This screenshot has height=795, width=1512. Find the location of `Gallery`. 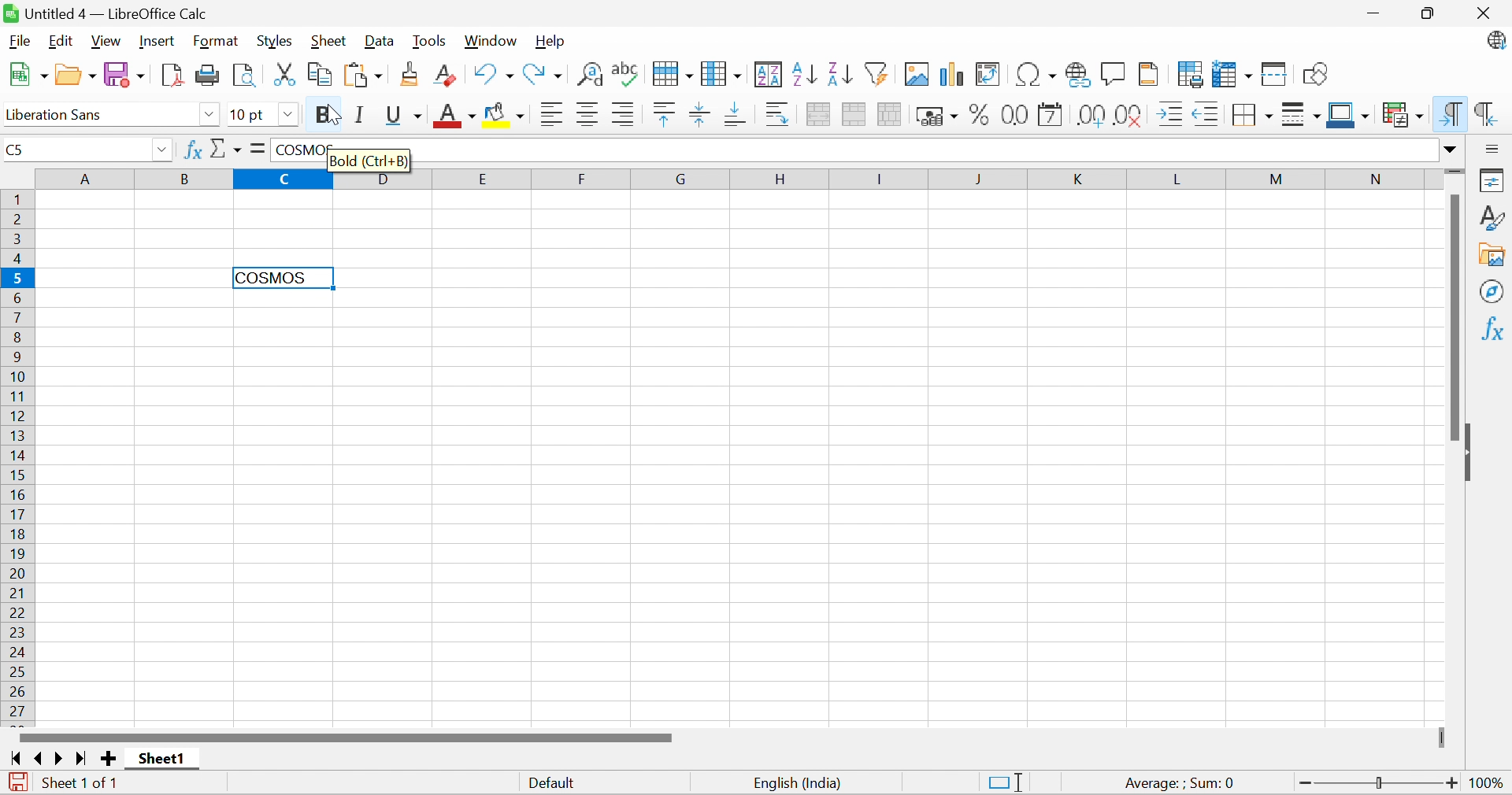

Gallery is located at coordinates (1494, 256).